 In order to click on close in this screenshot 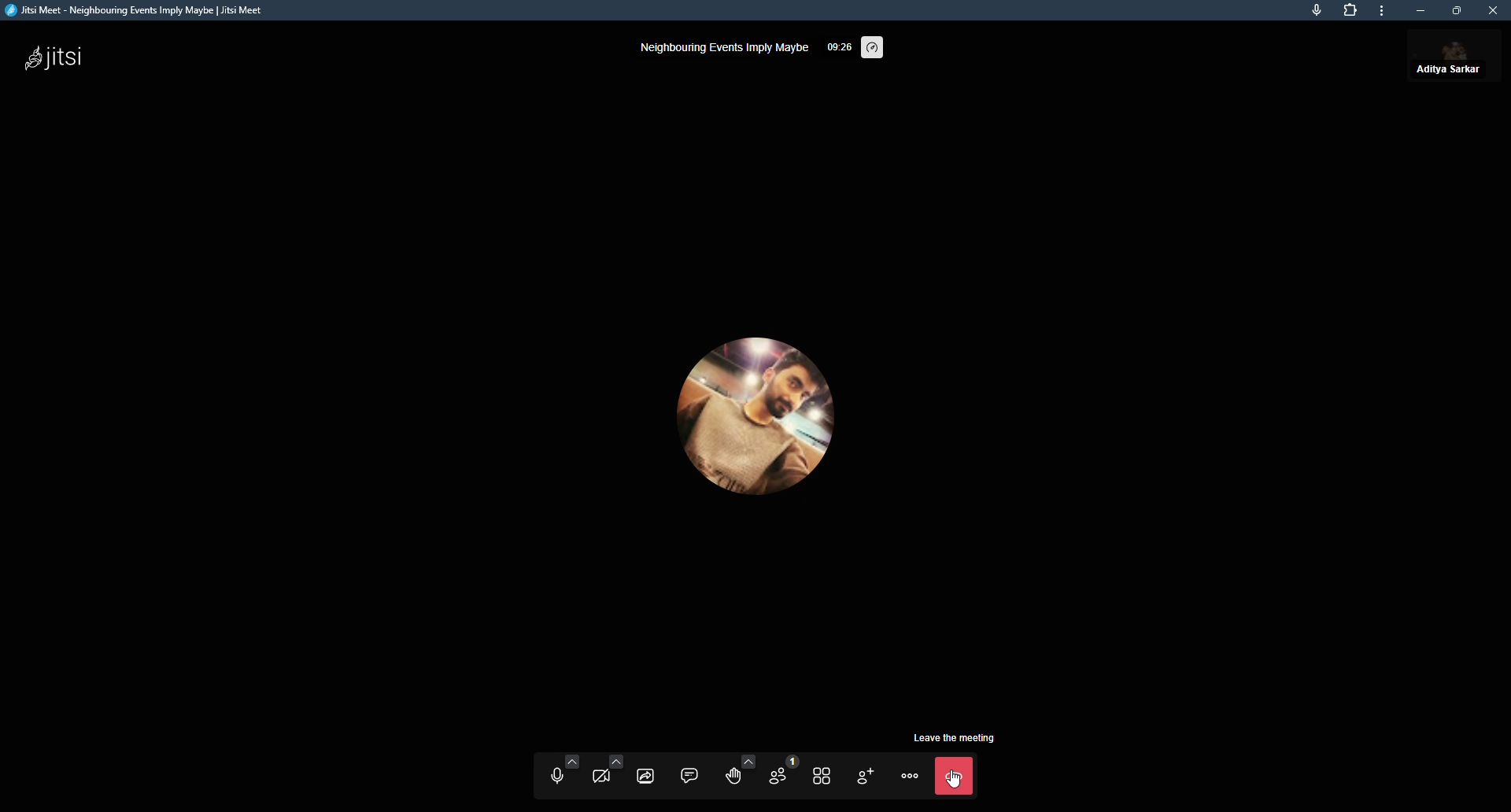, I will do `click(1493, 12)`.